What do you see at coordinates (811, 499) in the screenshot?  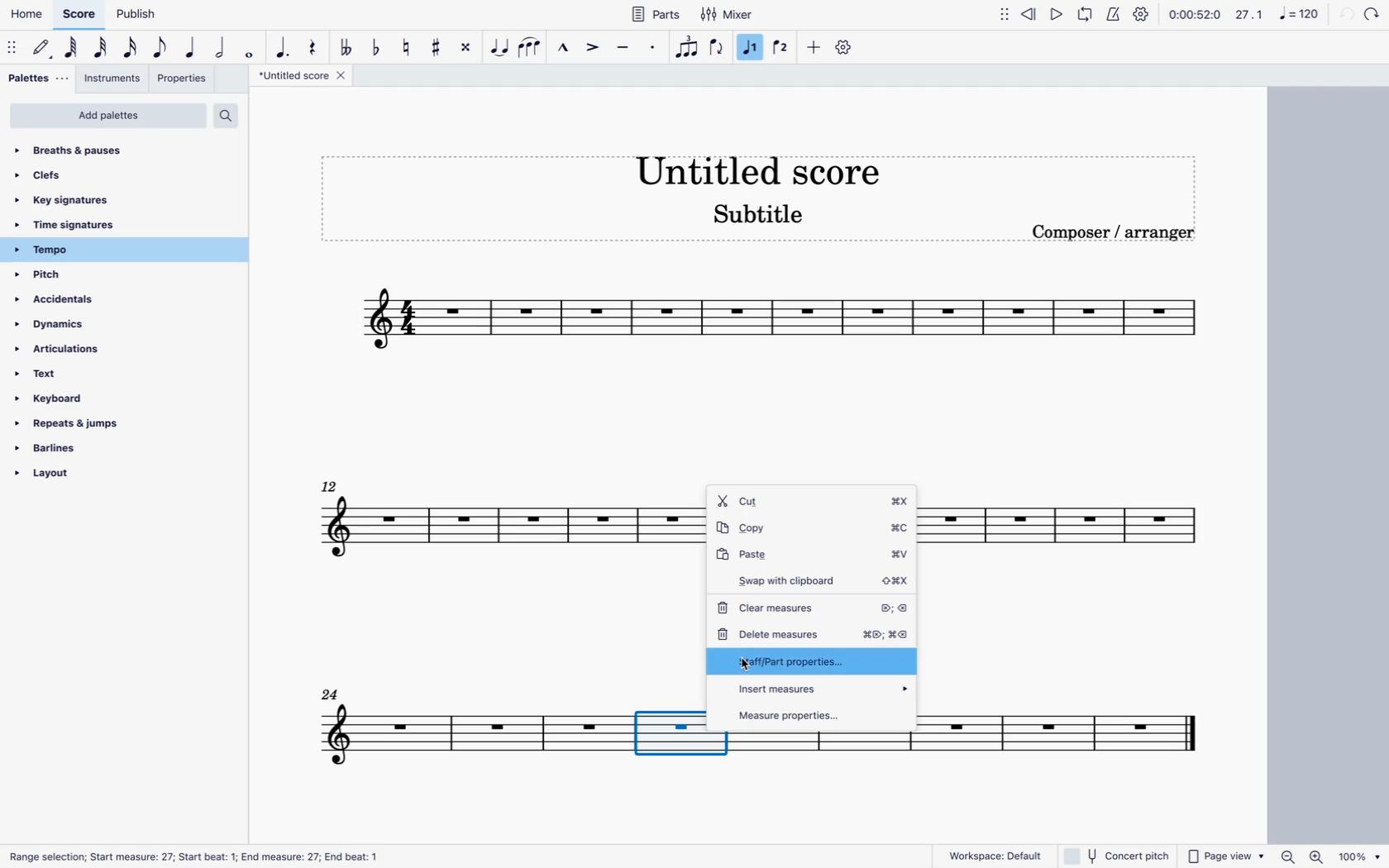 I see `cut` at bounding box center [811, 499].